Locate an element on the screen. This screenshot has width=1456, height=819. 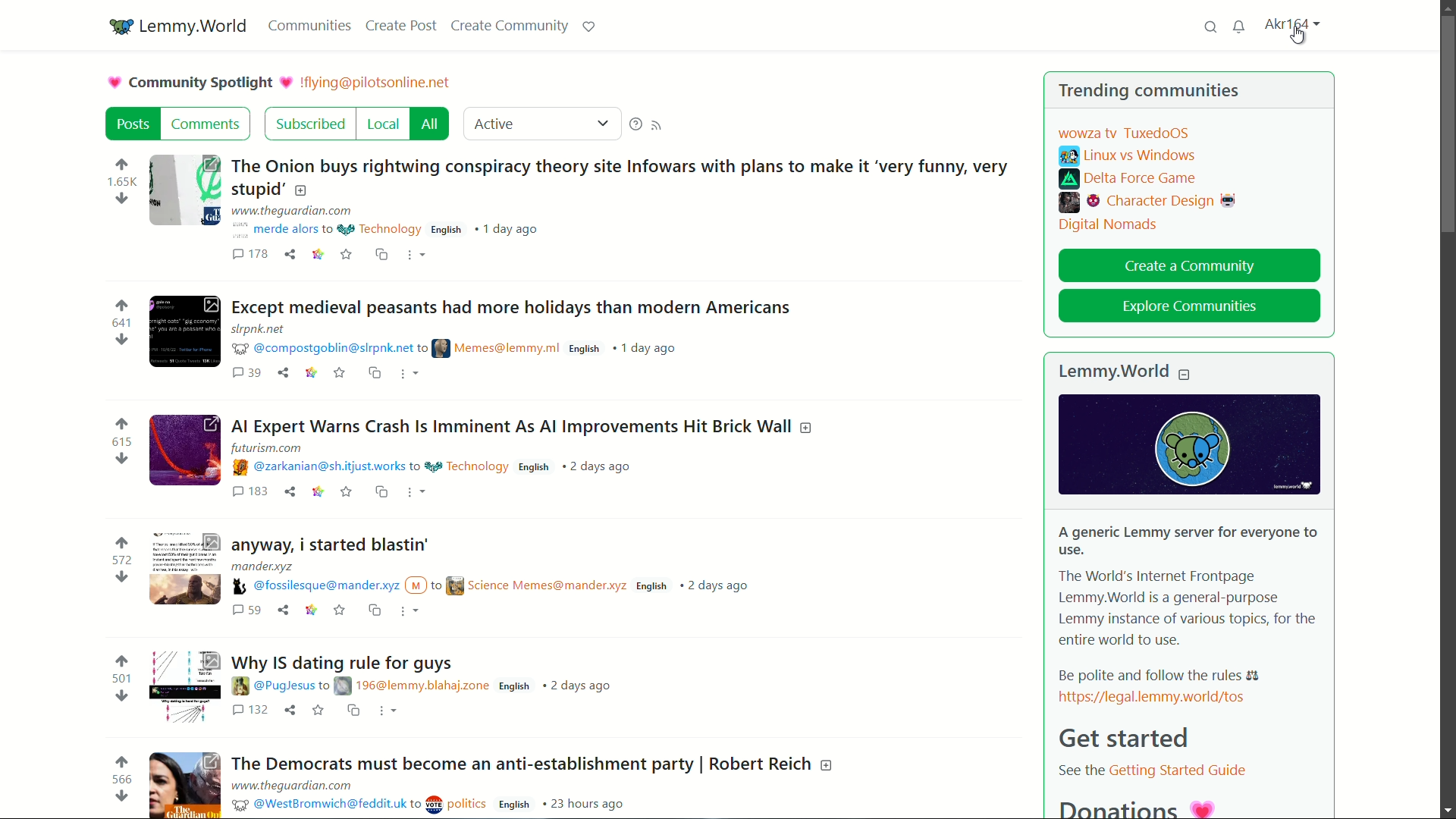
save is located at coordinates (339, 370).